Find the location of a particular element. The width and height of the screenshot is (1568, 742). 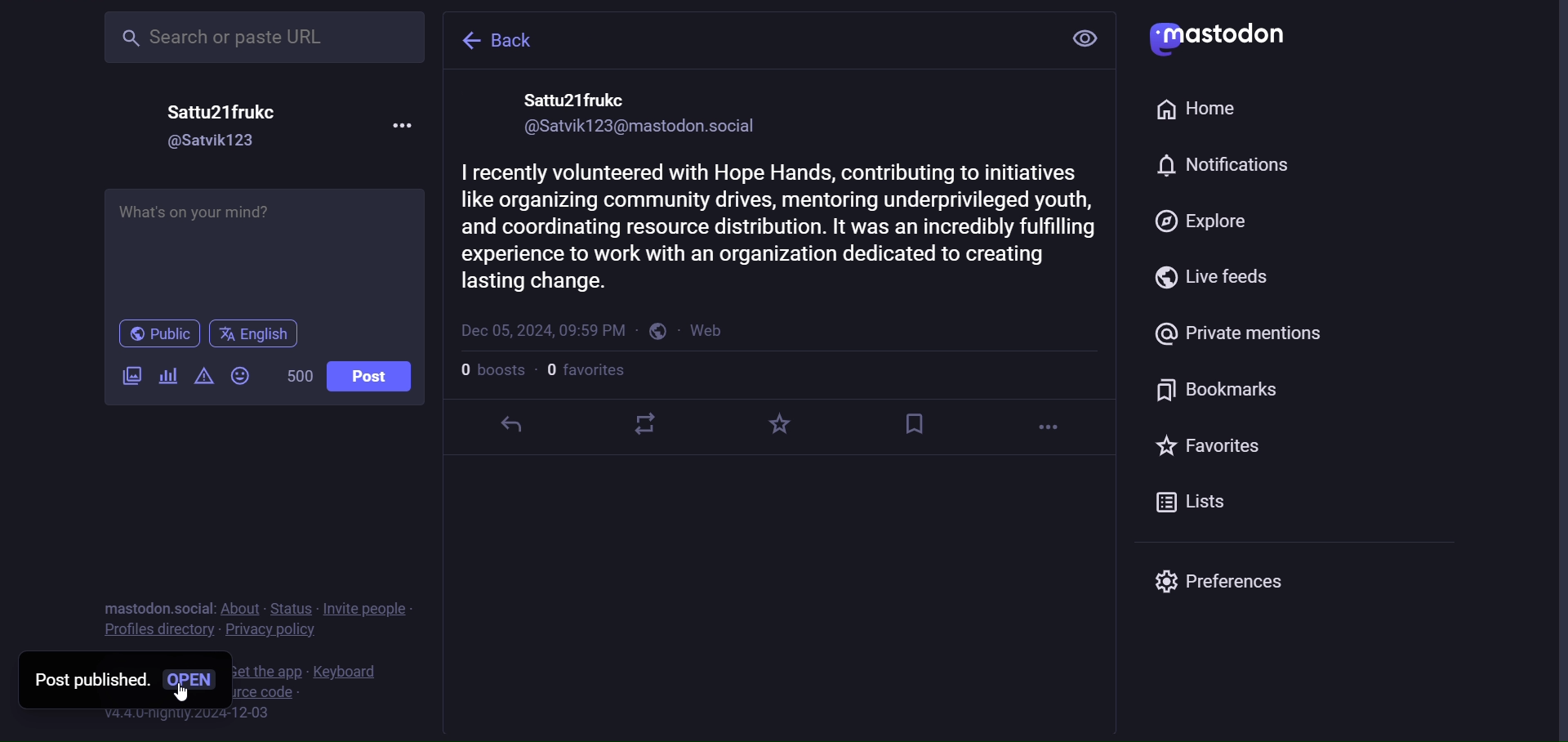

Profile directory is located at coordinates (154, 632).